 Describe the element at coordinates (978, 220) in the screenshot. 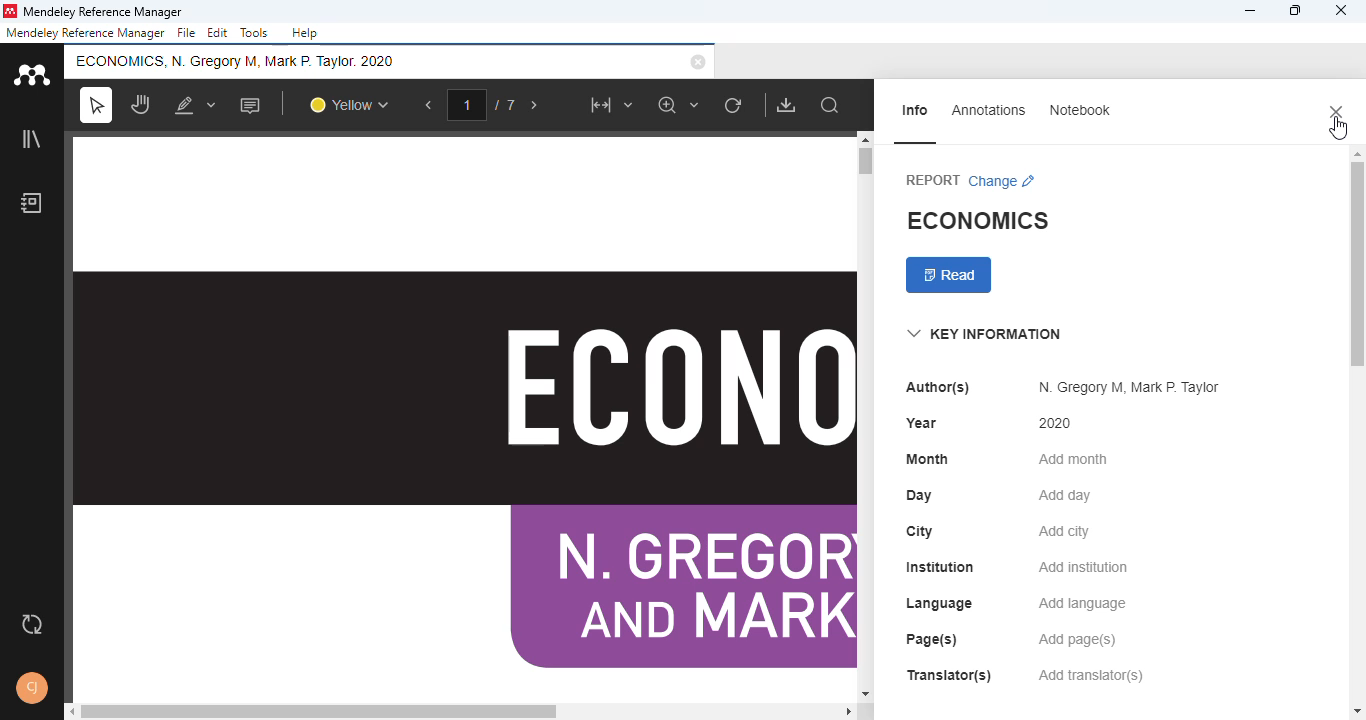

I see `ECONOMICS` at that location.